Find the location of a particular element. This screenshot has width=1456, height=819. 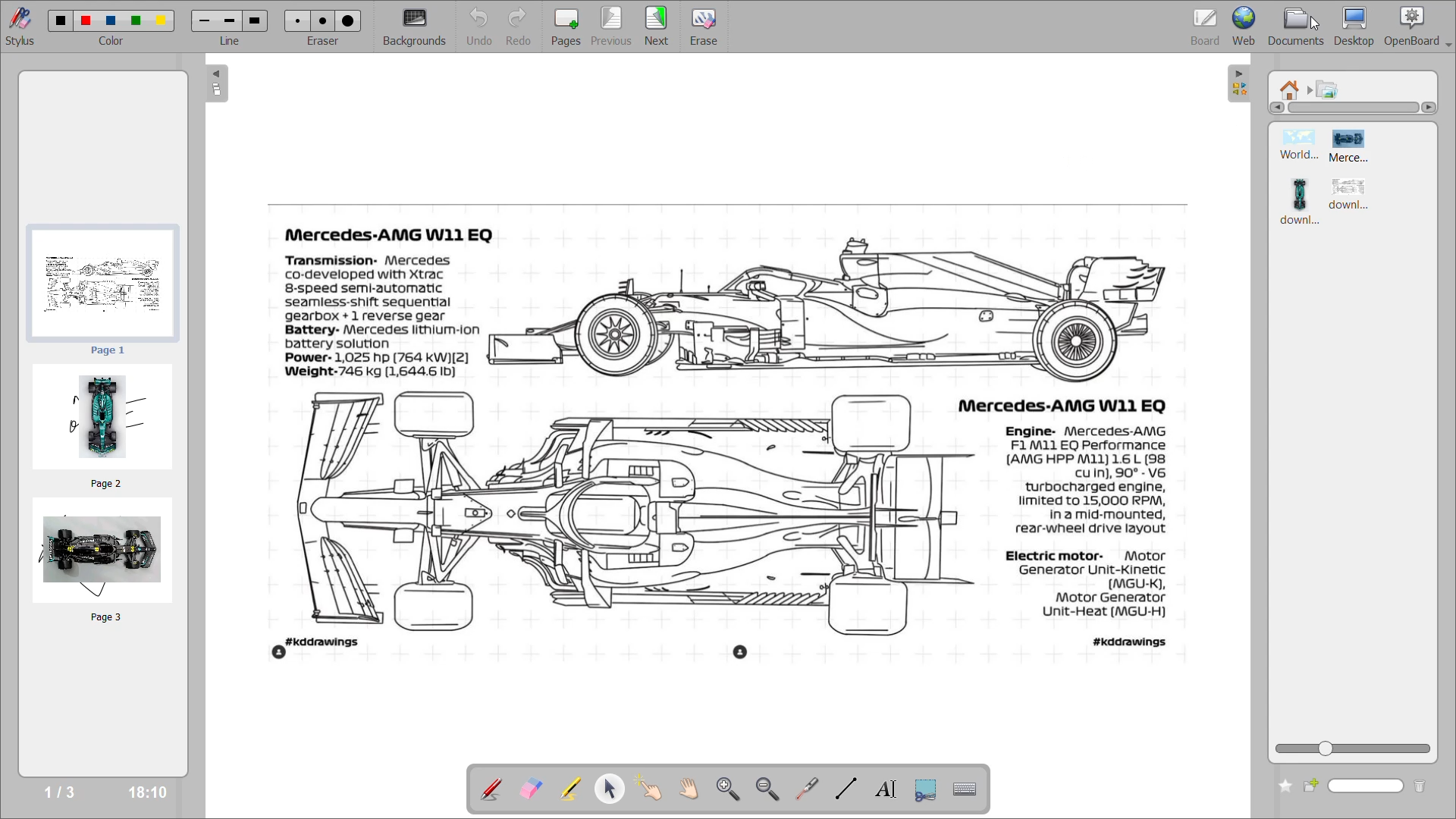

#kddrawings is located at coordinates (1131, 642).